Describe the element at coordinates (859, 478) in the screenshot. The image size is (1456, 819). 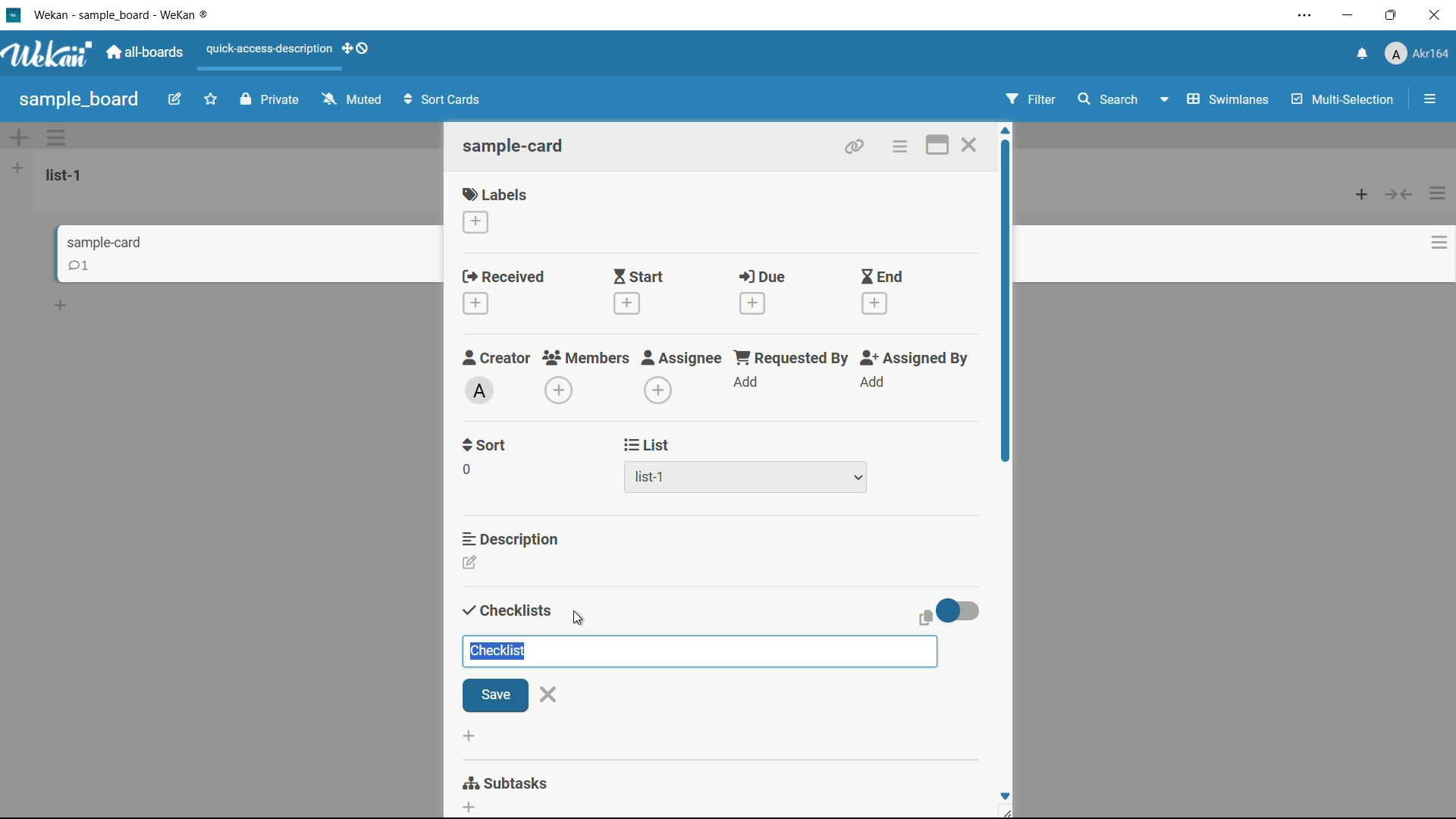
I see `dropdown` at that location.